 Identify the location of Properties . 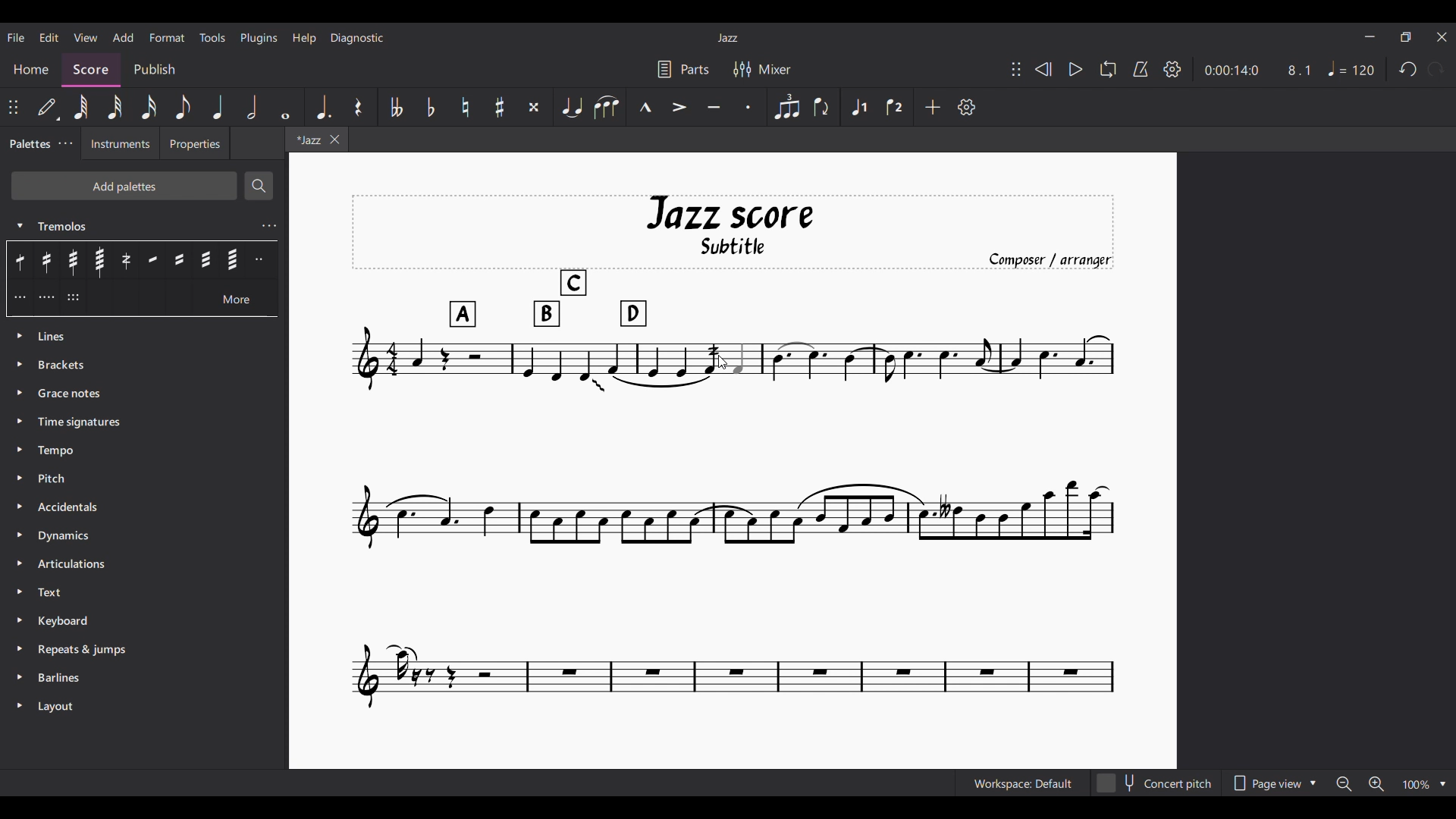
(195, 143).